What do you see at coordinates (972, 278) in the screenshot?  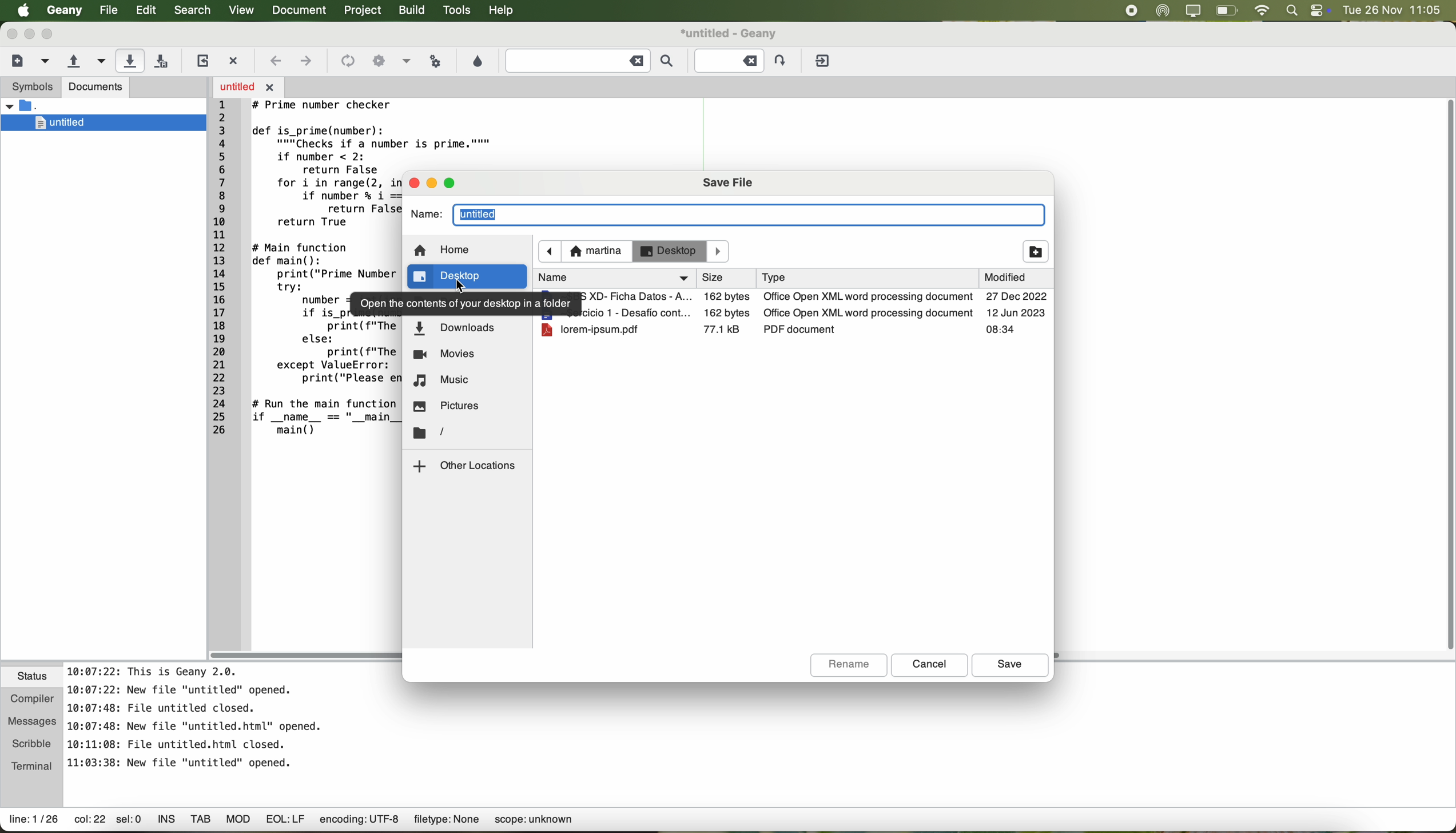 I see `type` at bounding box center [972, 278].